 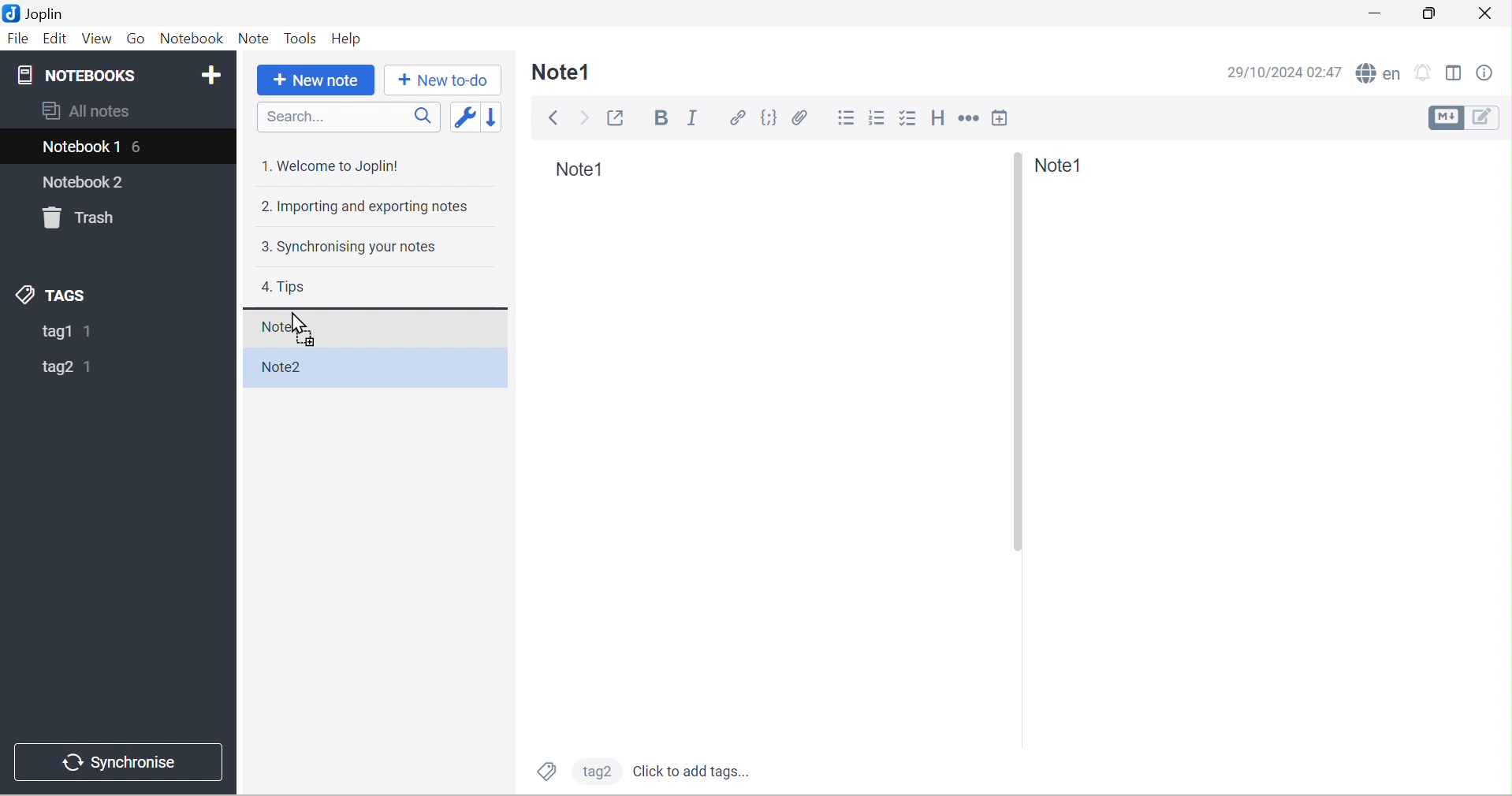 What do you see at coordinates (563, 75) in the screenshot?
I see `Note1` at bounding box center [563, 75].